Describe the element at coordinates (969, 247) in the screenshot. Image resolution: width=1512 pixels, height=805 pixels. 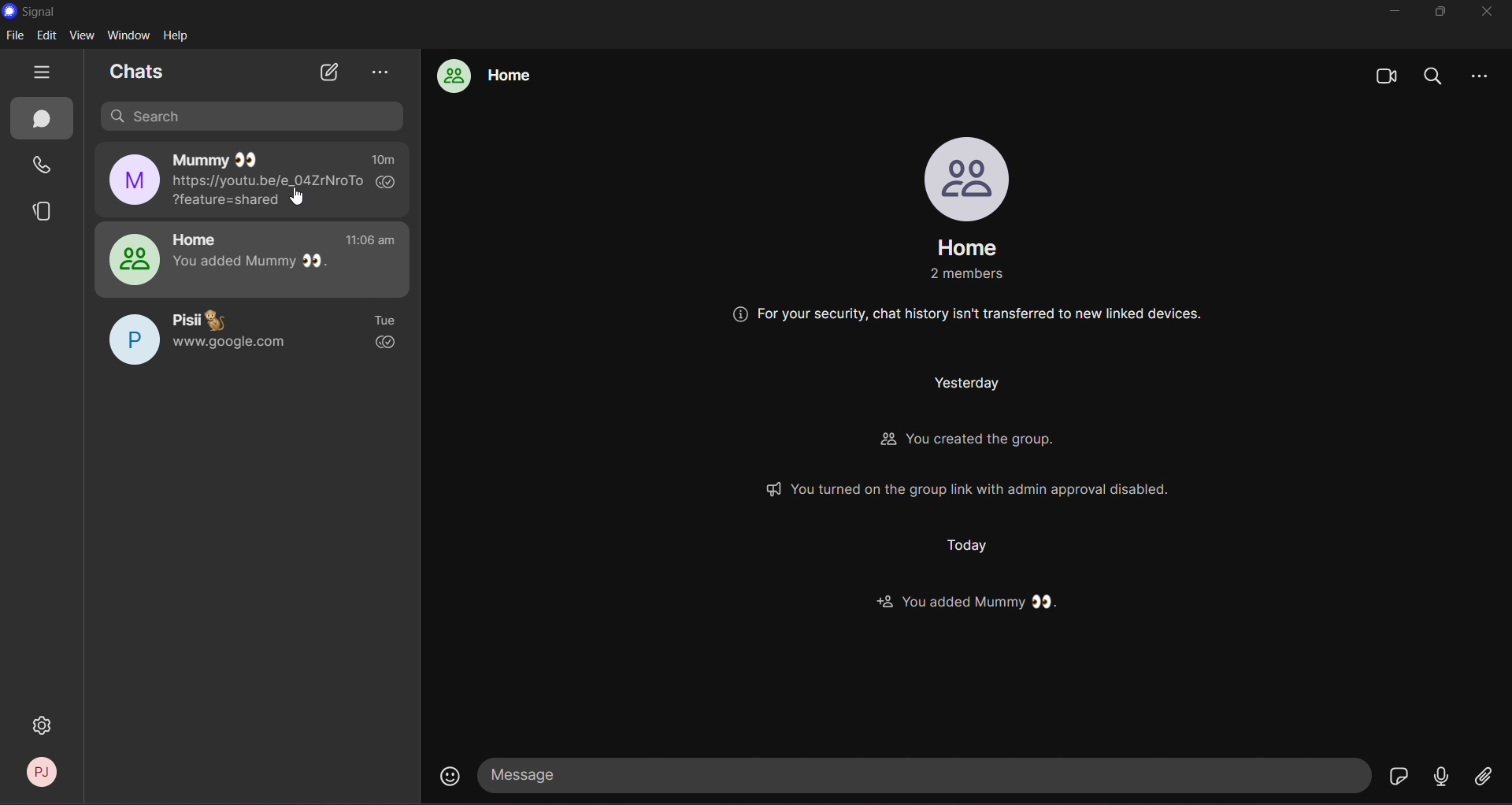
I see `group name` at that location.